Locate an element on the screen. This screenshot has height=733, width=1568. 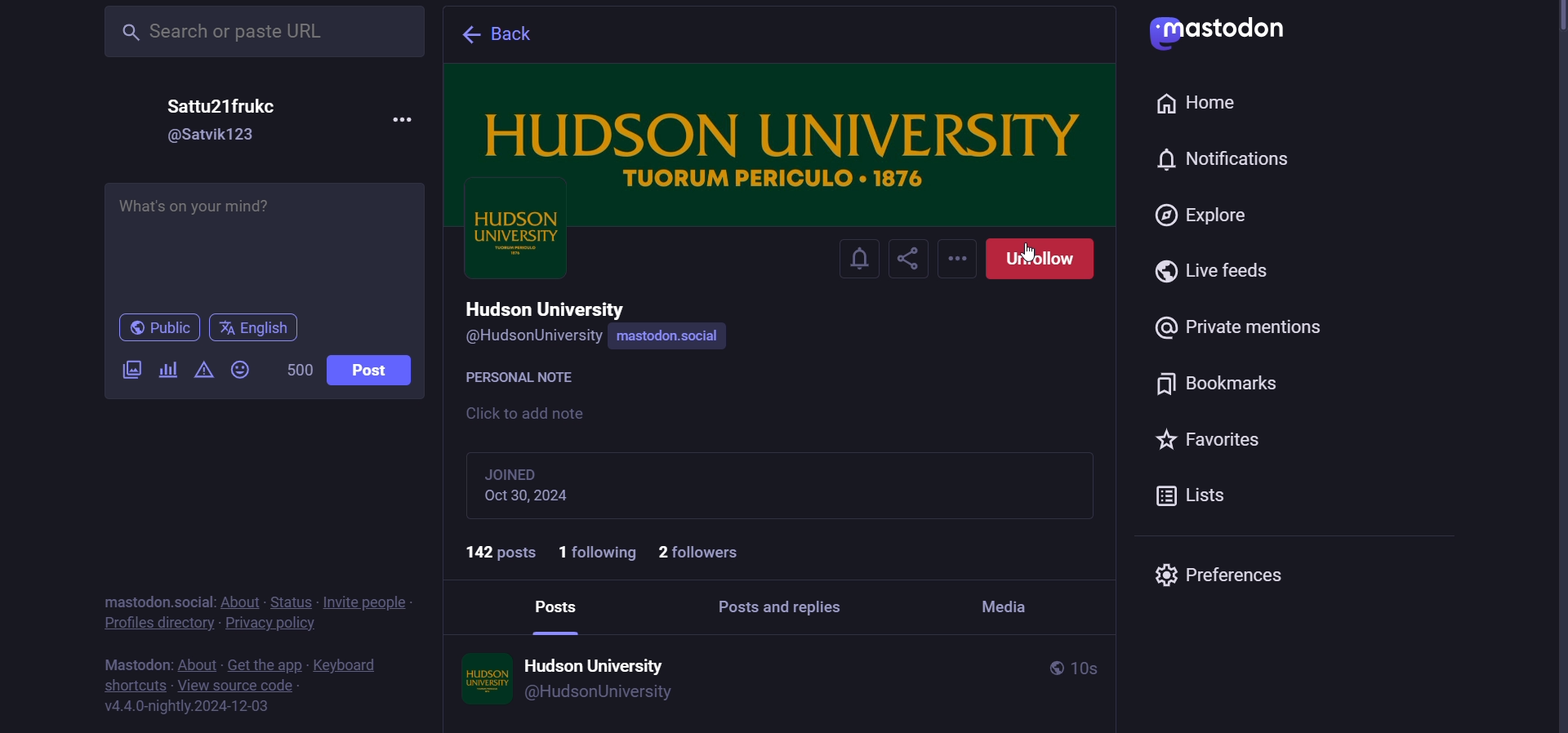
@HudsonUniversity is located at coordinates (602, 693).